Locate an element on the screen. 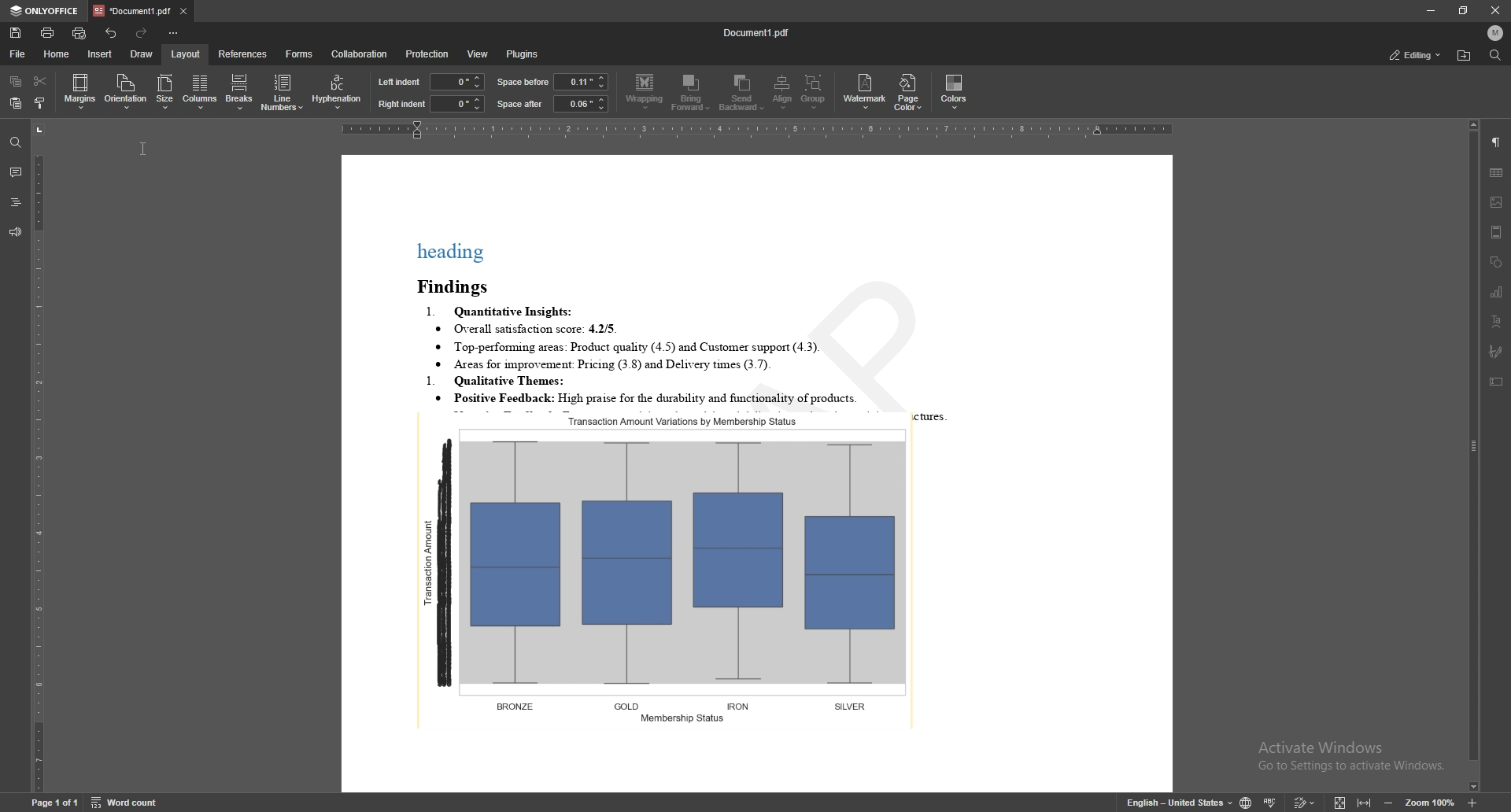 This screenshot has width=1511, height=812. space before is located at coordinates (523, 82).